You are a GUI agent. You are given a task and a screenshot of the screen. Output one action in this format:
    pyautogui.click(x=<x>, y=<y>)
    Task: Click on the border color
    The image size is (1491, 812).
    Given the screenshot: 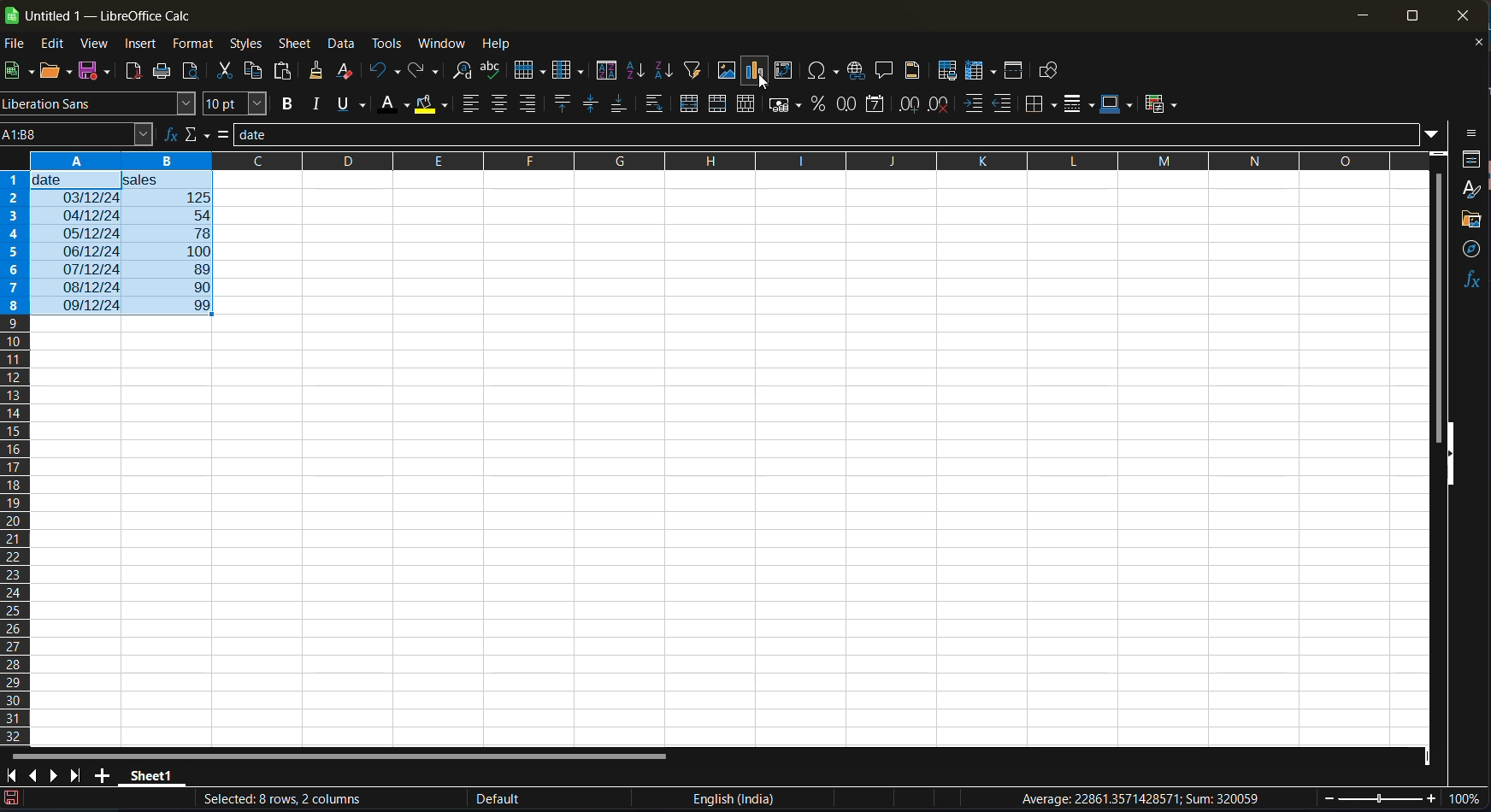 What is the action you would take?
    pyautogui.click(x=1116, y=105)
    